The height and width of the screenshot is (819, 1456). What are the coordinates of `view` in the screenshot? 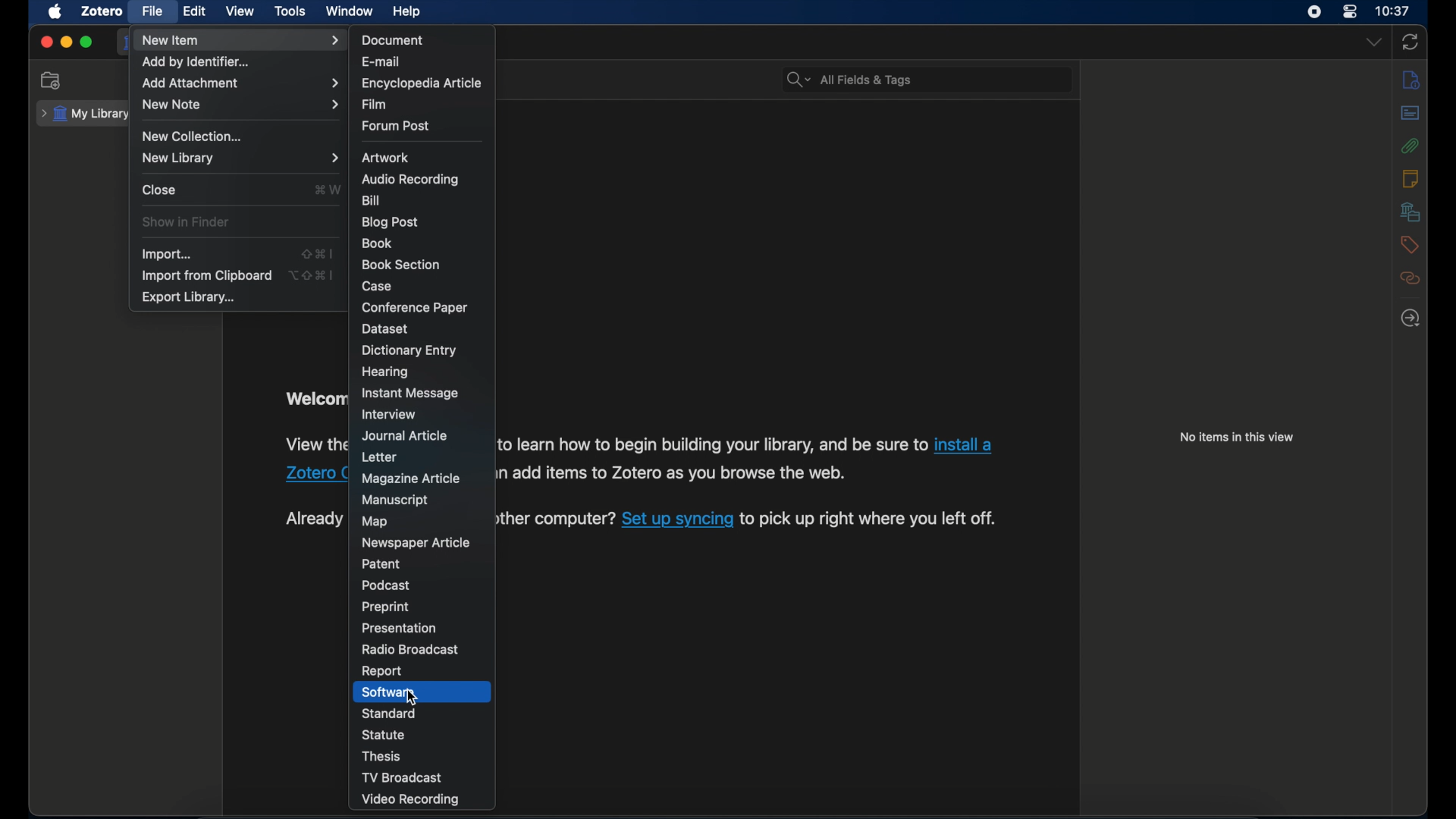 It's located at (241, 12).